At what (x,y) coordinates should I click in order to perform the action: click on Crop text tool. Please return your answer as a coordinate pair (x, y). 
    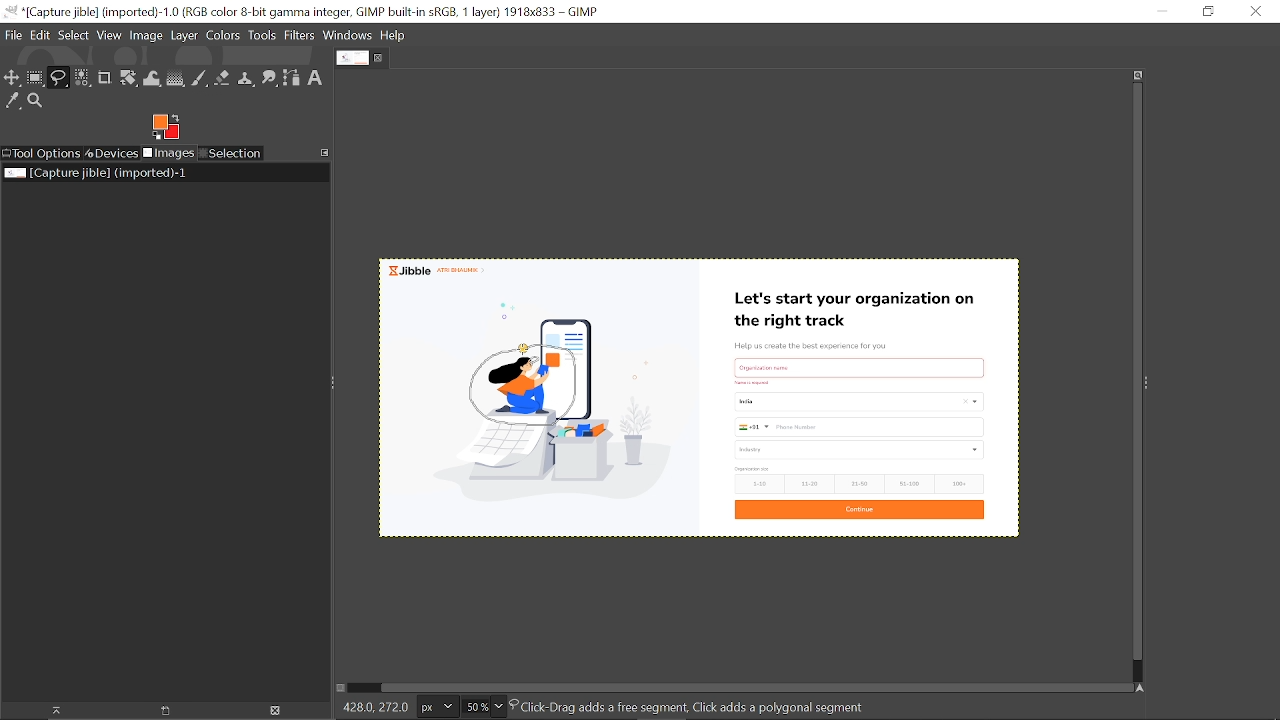
    Looking at the image, I should click on (105, 79).